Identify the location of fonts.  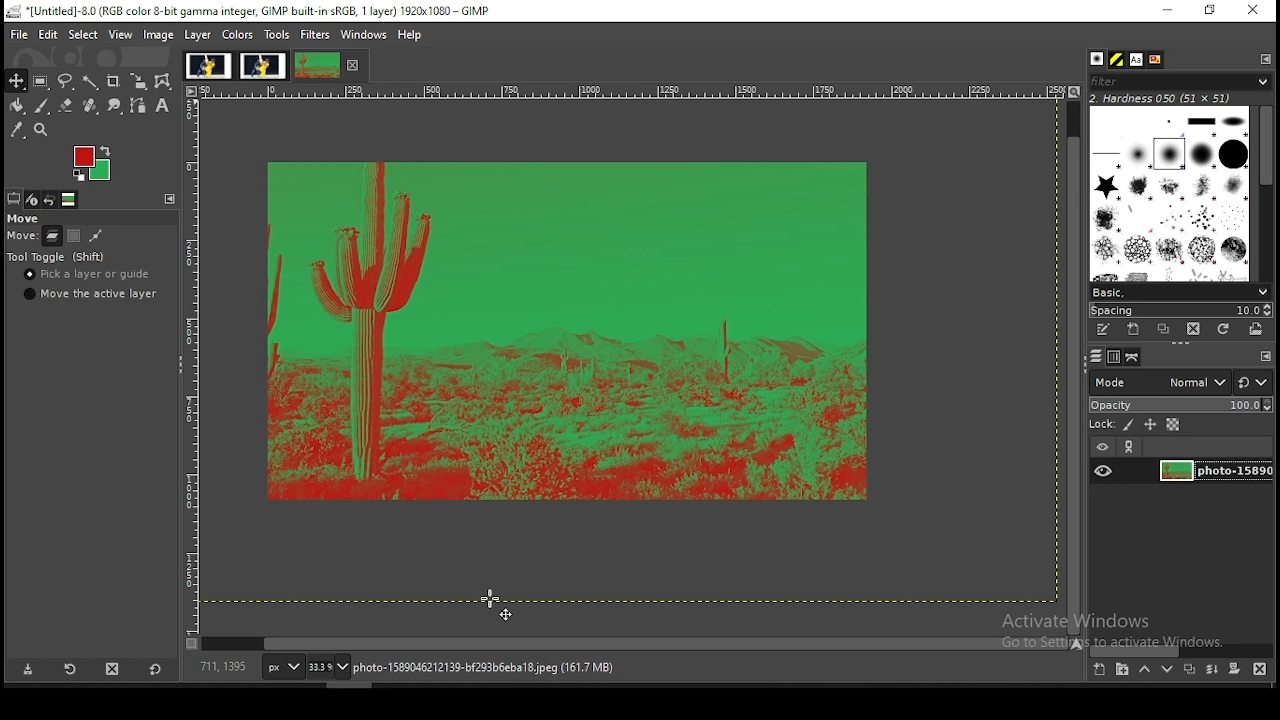
(1138, 59).